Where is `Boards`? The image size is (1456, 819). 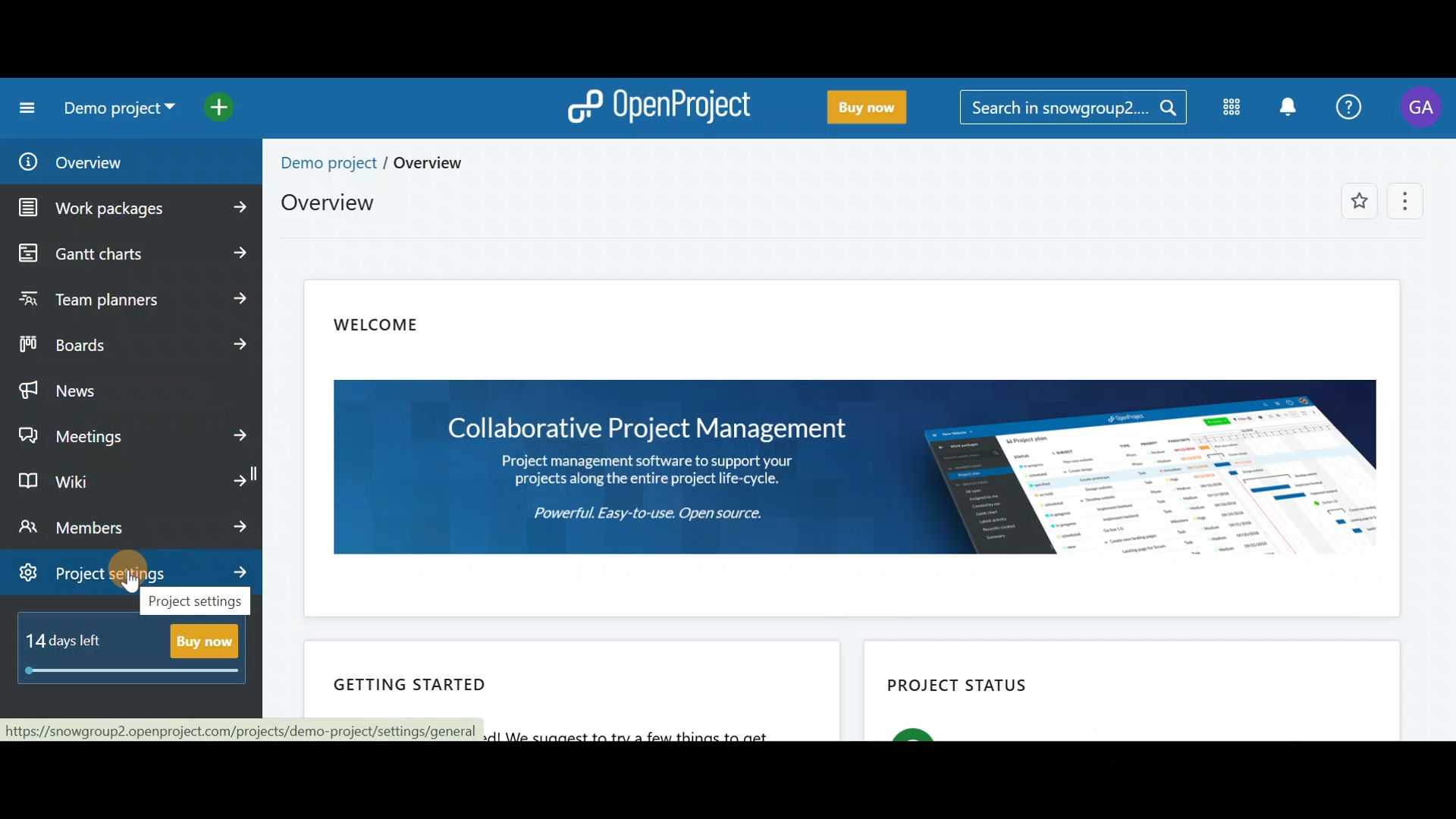 Boards is located at coordinates (131, 346).